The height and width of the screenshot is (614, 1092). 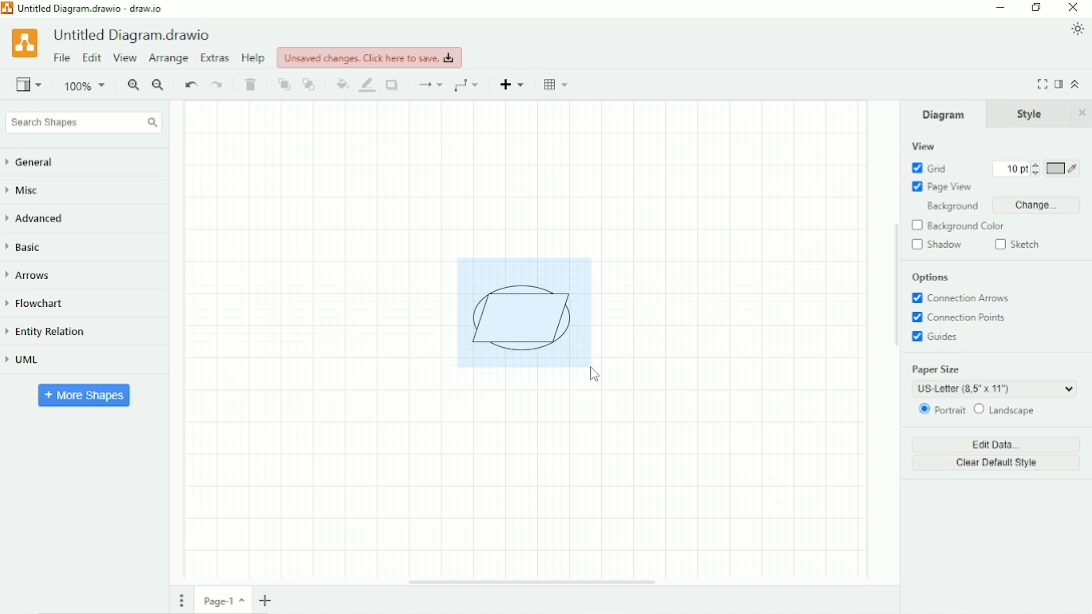 What do you see at coordinates (190, 86) in the screenshot?
I see `Undo` at bounding box center [190, 86].